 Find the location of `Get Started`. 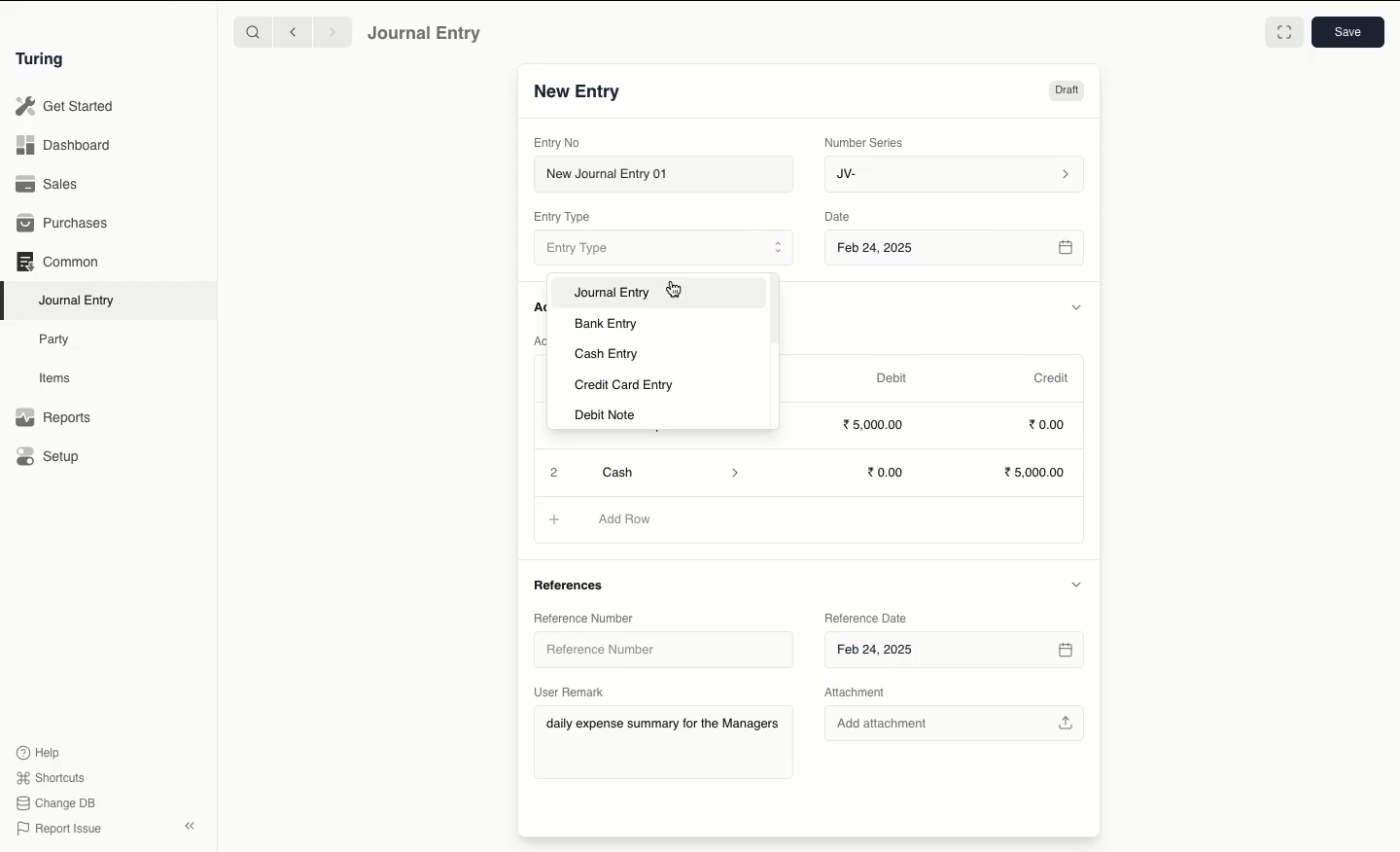

Get Started is located at coordinates (66, 107).